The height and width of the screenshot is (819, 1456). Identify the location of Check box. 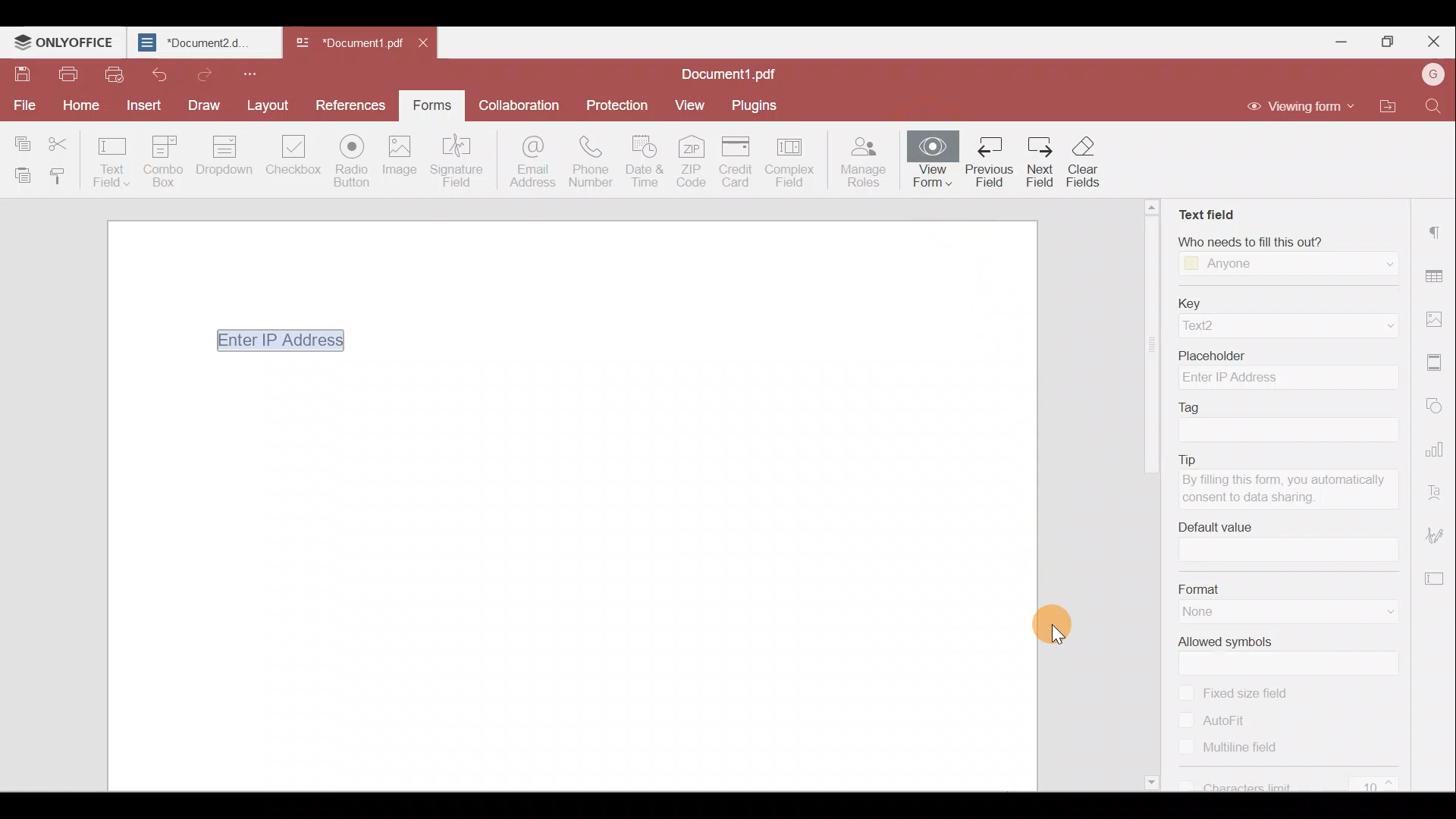
(293, 164).